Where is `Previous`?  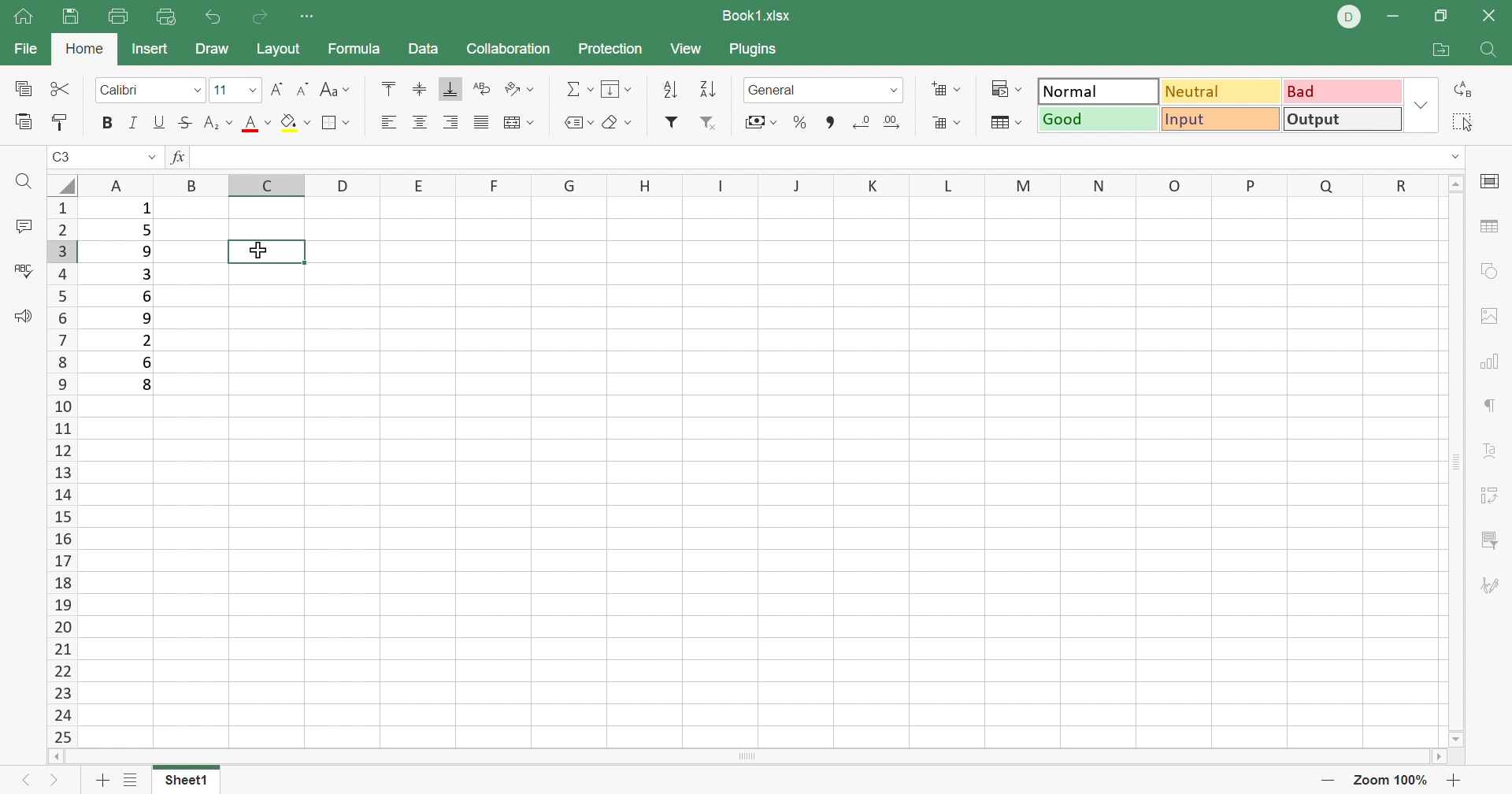 Previous is located at coordinates (28, 782).